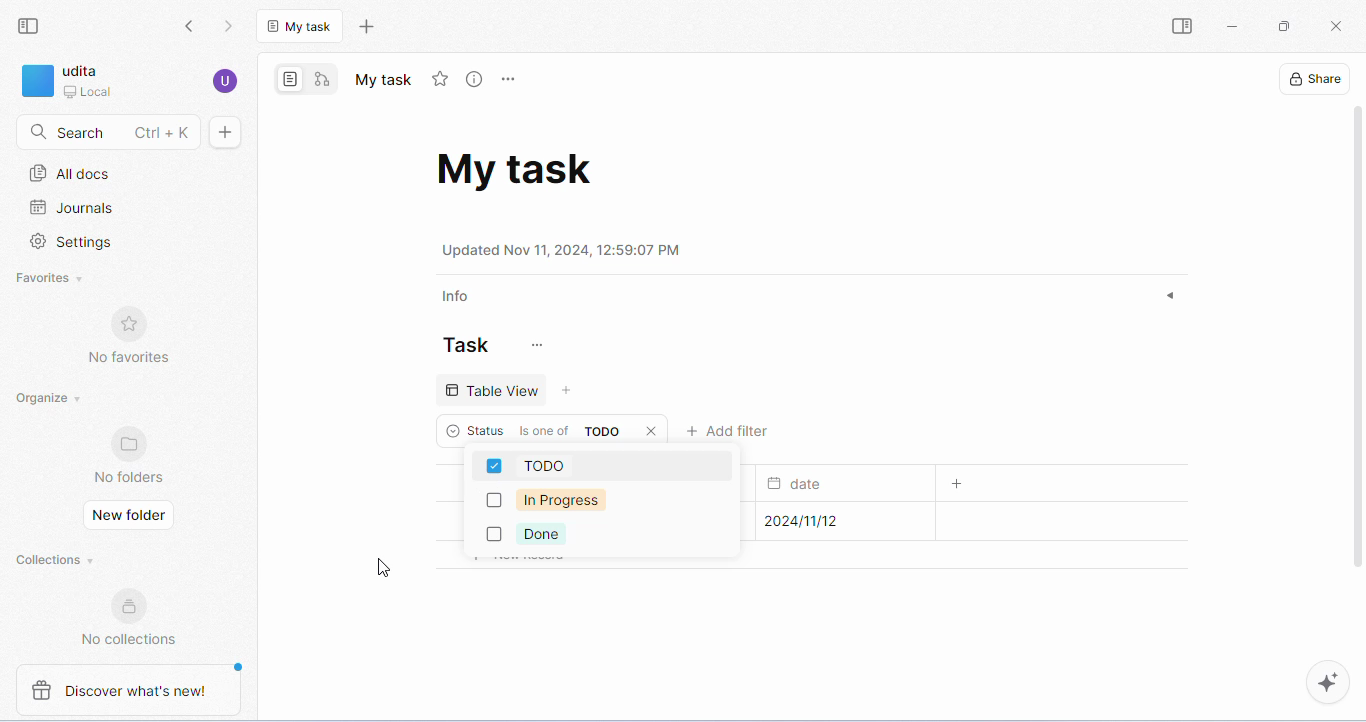 The height and width of the screenshot is (722, 1366). I want to click on favorites logo, so click(125, 444).